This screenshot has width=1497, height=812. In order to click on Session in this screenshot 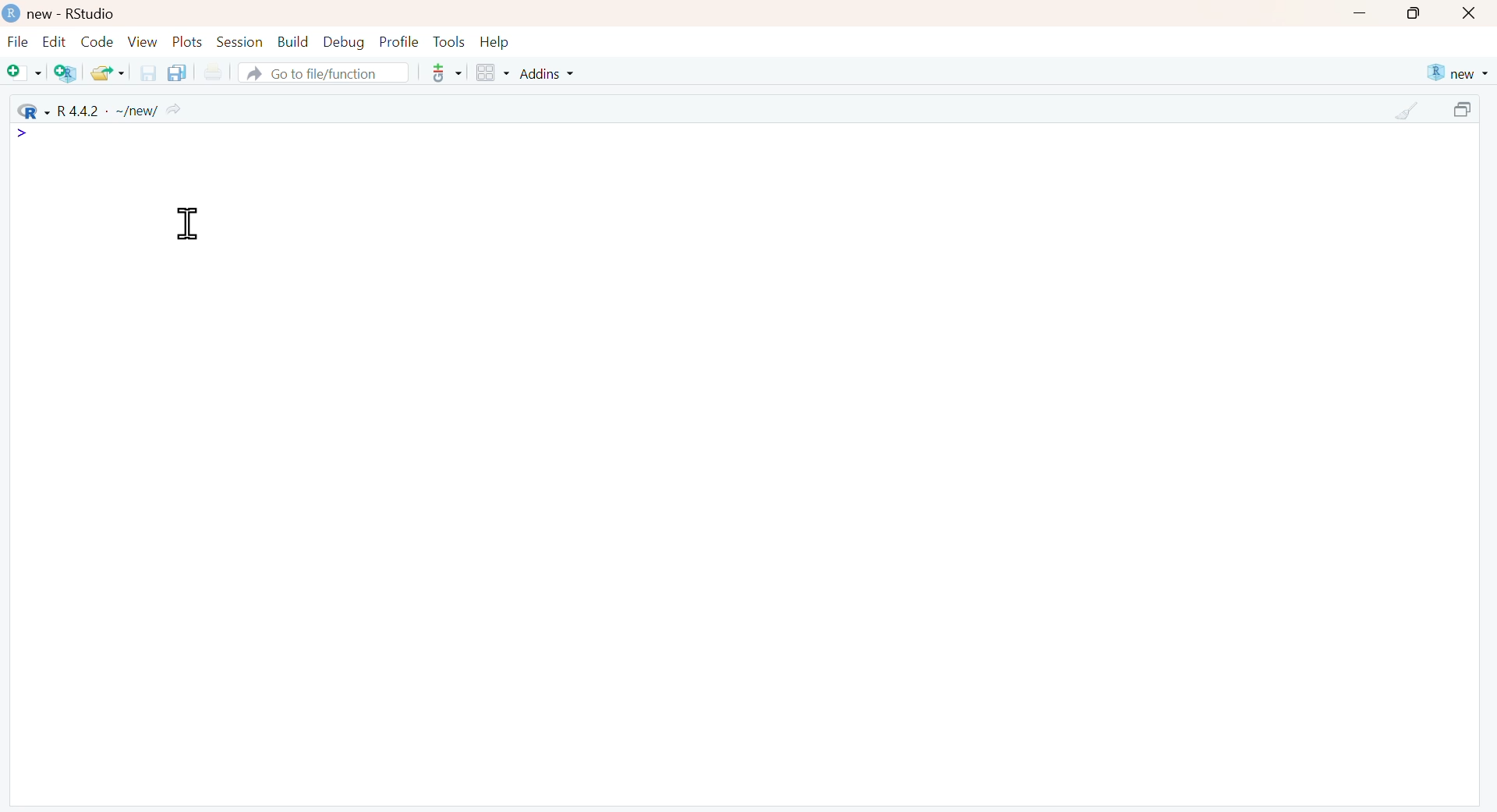, I will do `click(242, 42)`.